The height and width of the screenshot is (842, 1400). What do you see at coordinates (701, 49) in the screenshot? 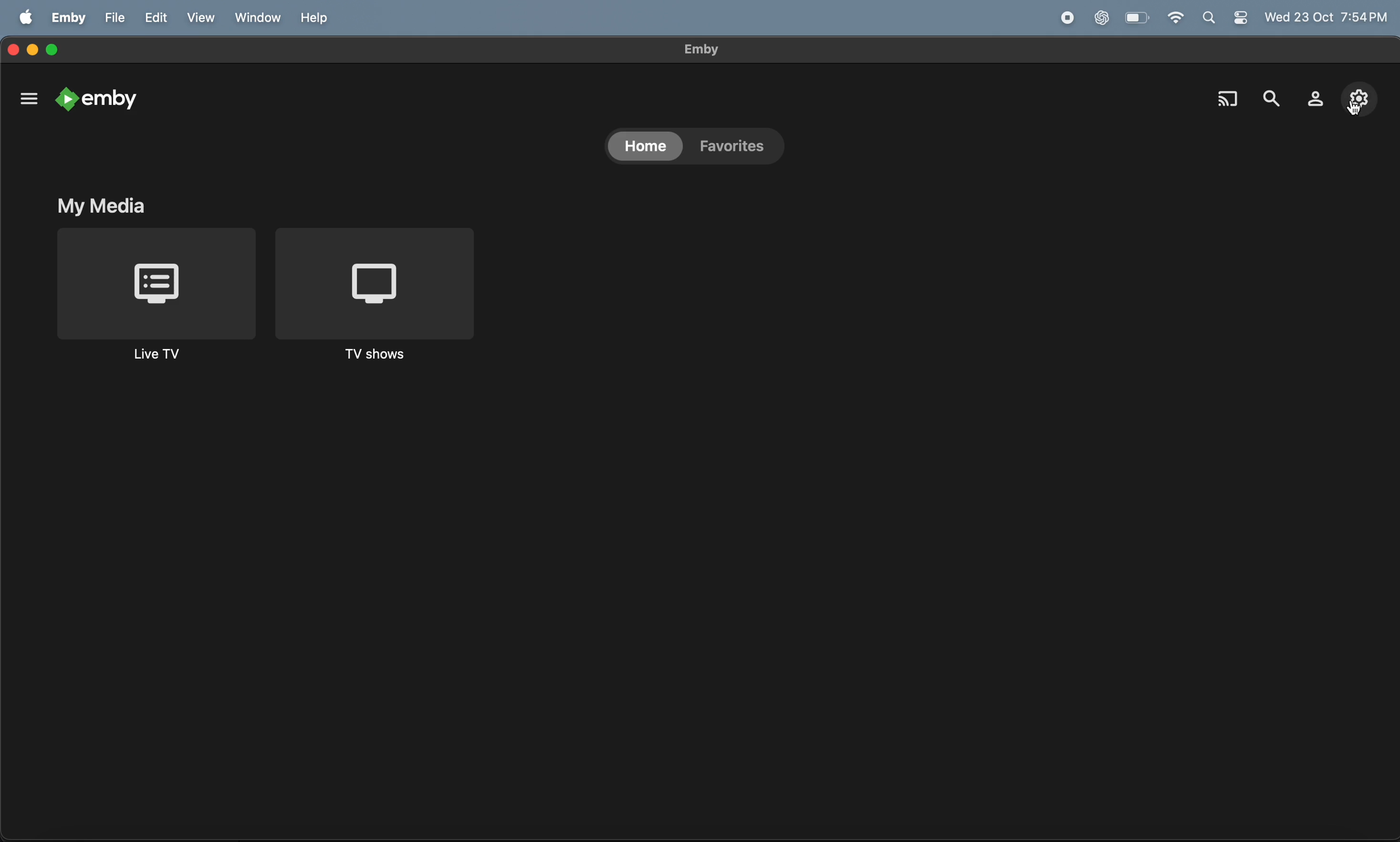
I see `emby title` at bounding box center [701, 49].